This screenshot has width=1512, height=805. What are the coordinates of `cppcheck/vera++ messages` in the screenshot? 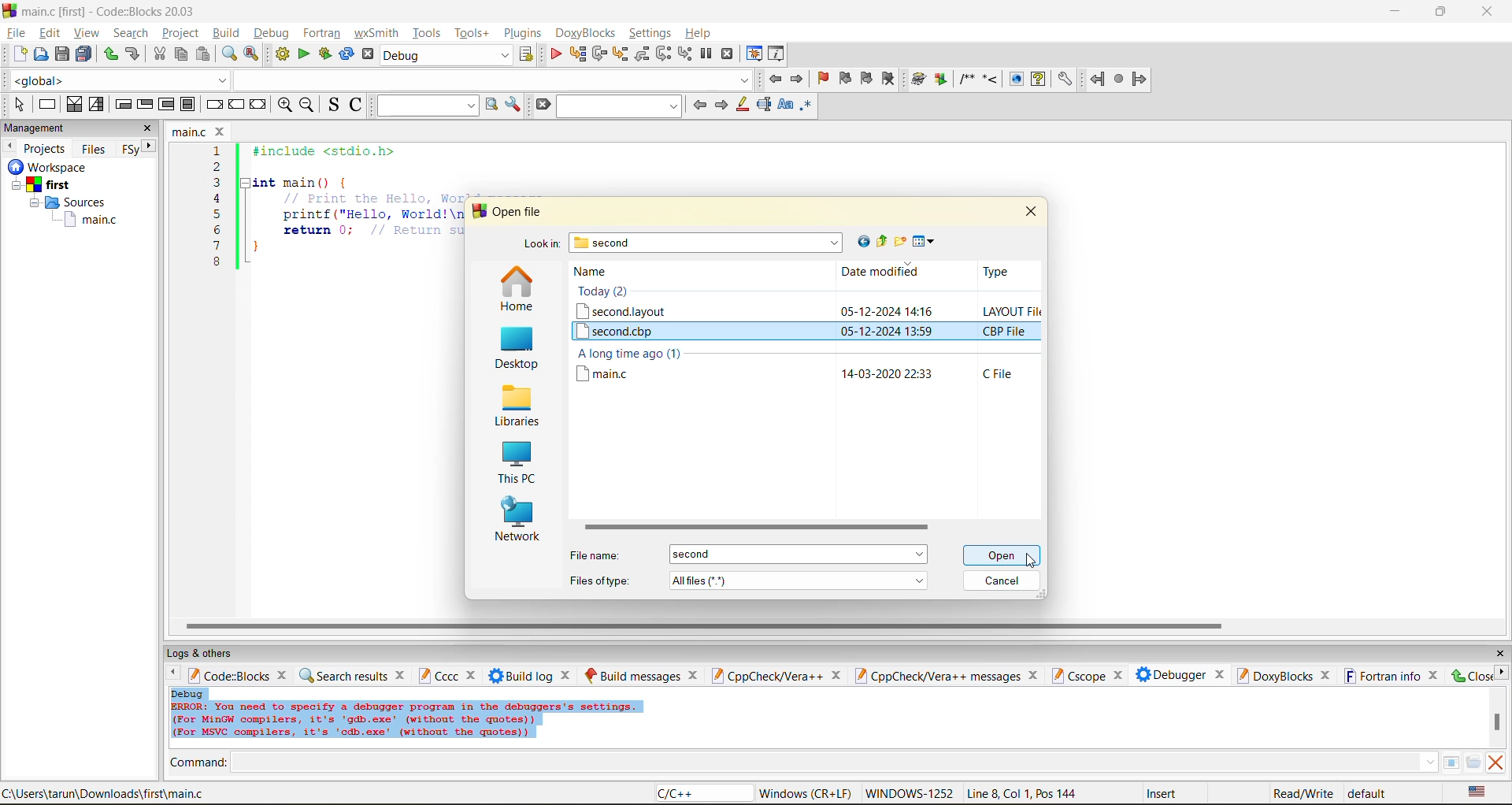 It's located at (936, 676).